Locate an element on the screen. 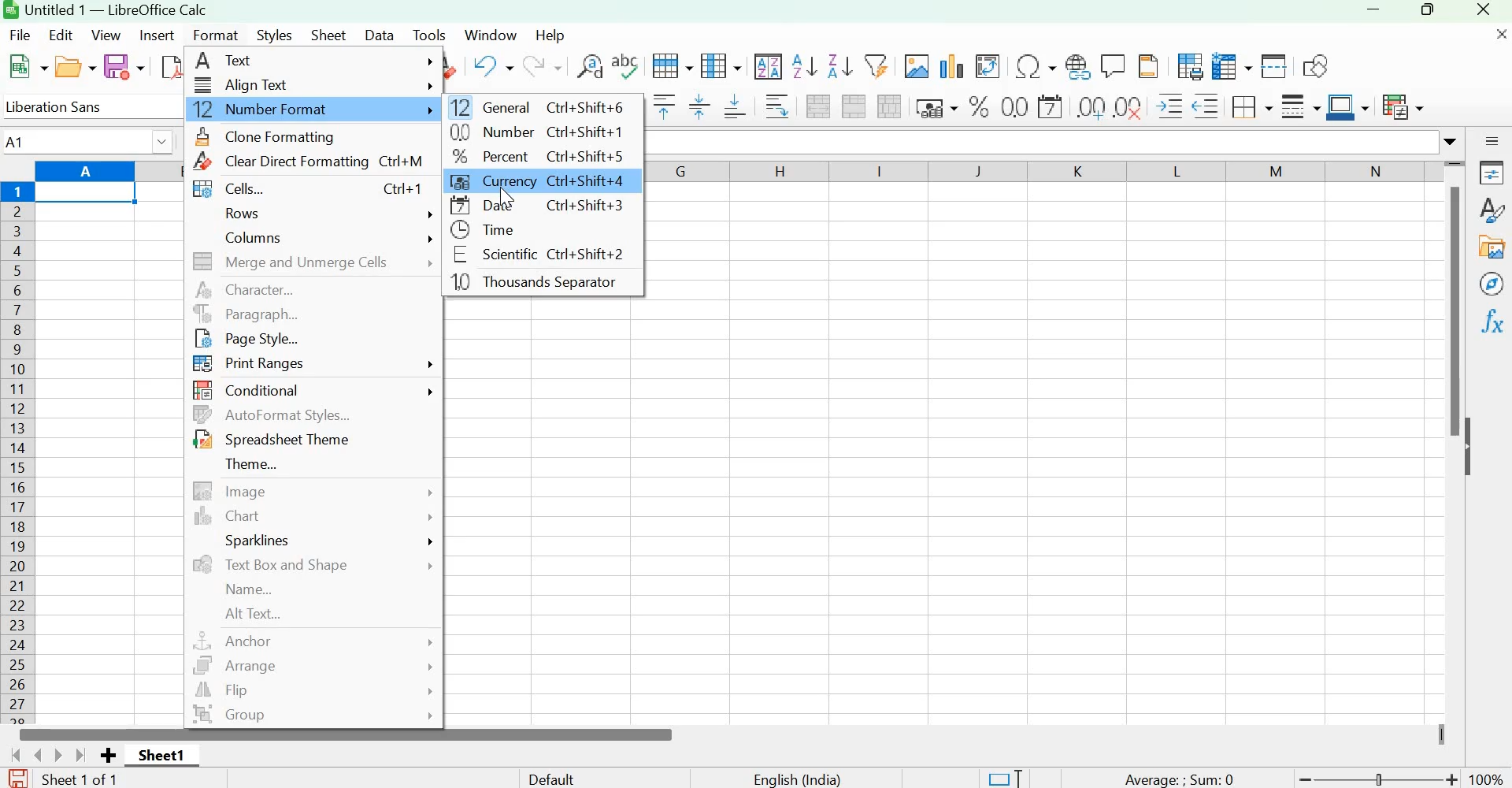 Image resolution: width=1512 pixels, height=788 pixels. Maximize is located at coordinates (1426, 13).